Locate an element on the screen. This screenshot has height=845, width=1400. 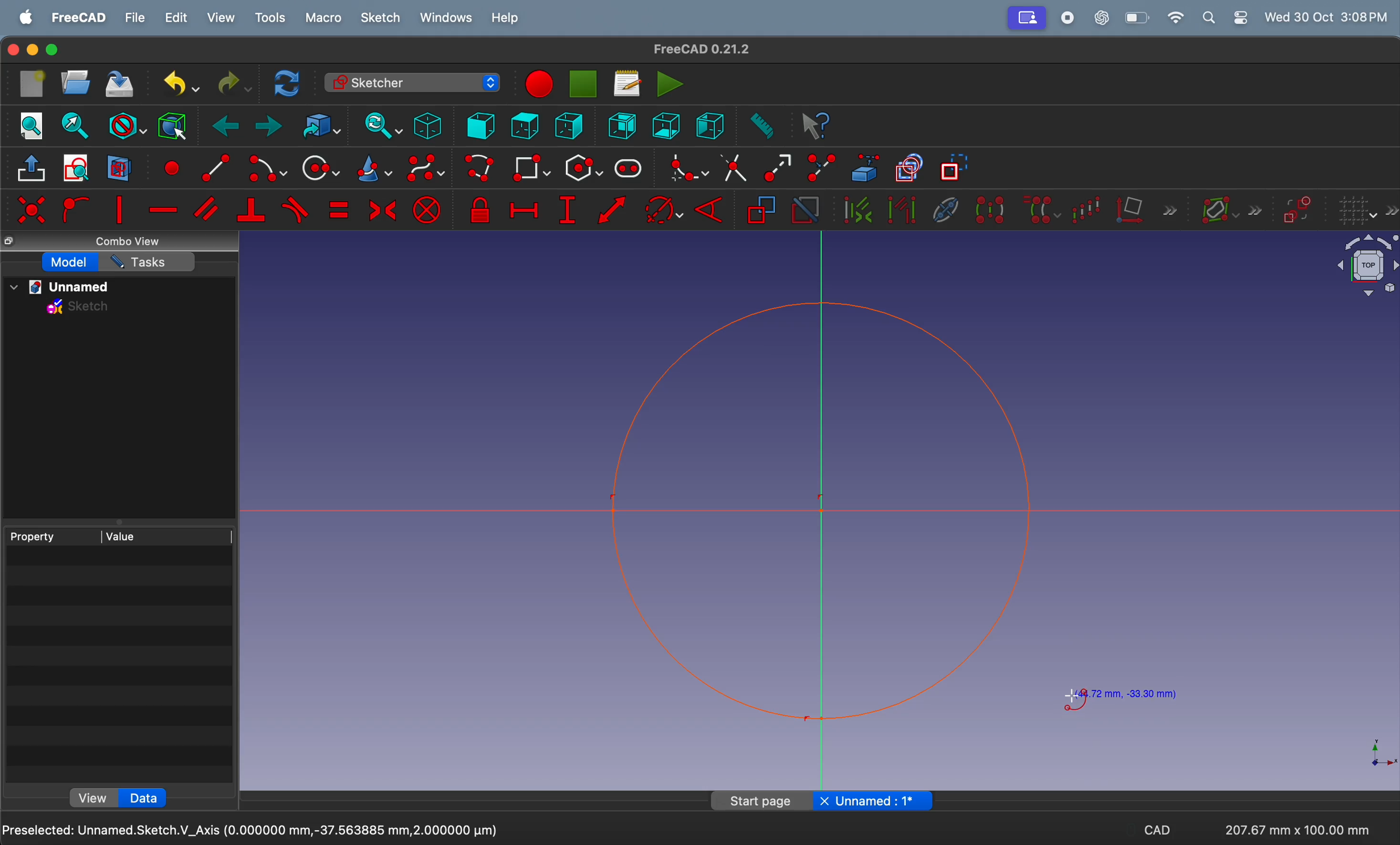
create arc is located at coordinates (265, 169).